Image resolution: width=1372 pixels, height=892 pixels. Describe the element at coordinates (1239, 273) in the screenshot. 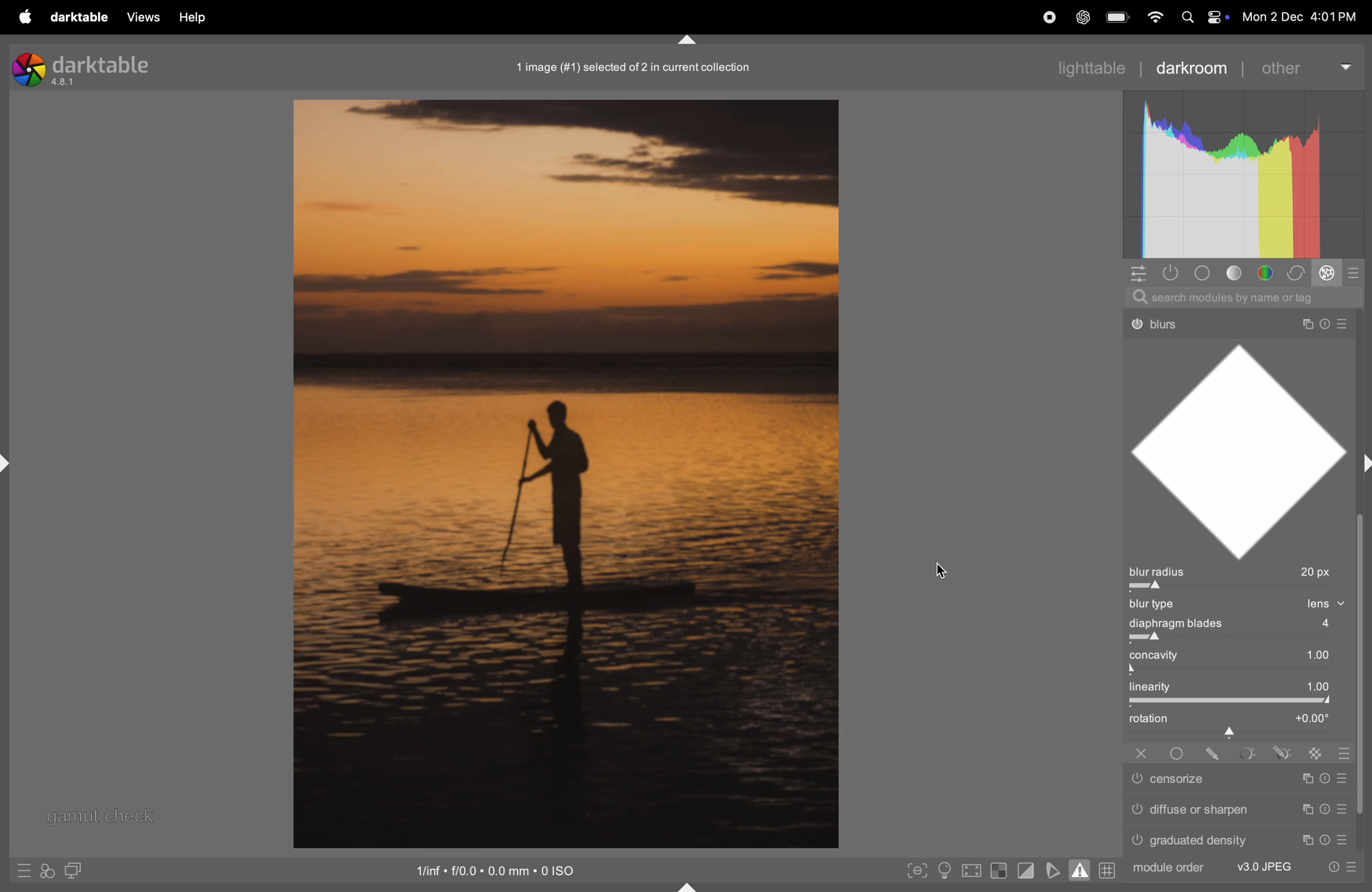

I see `tone` at that location.